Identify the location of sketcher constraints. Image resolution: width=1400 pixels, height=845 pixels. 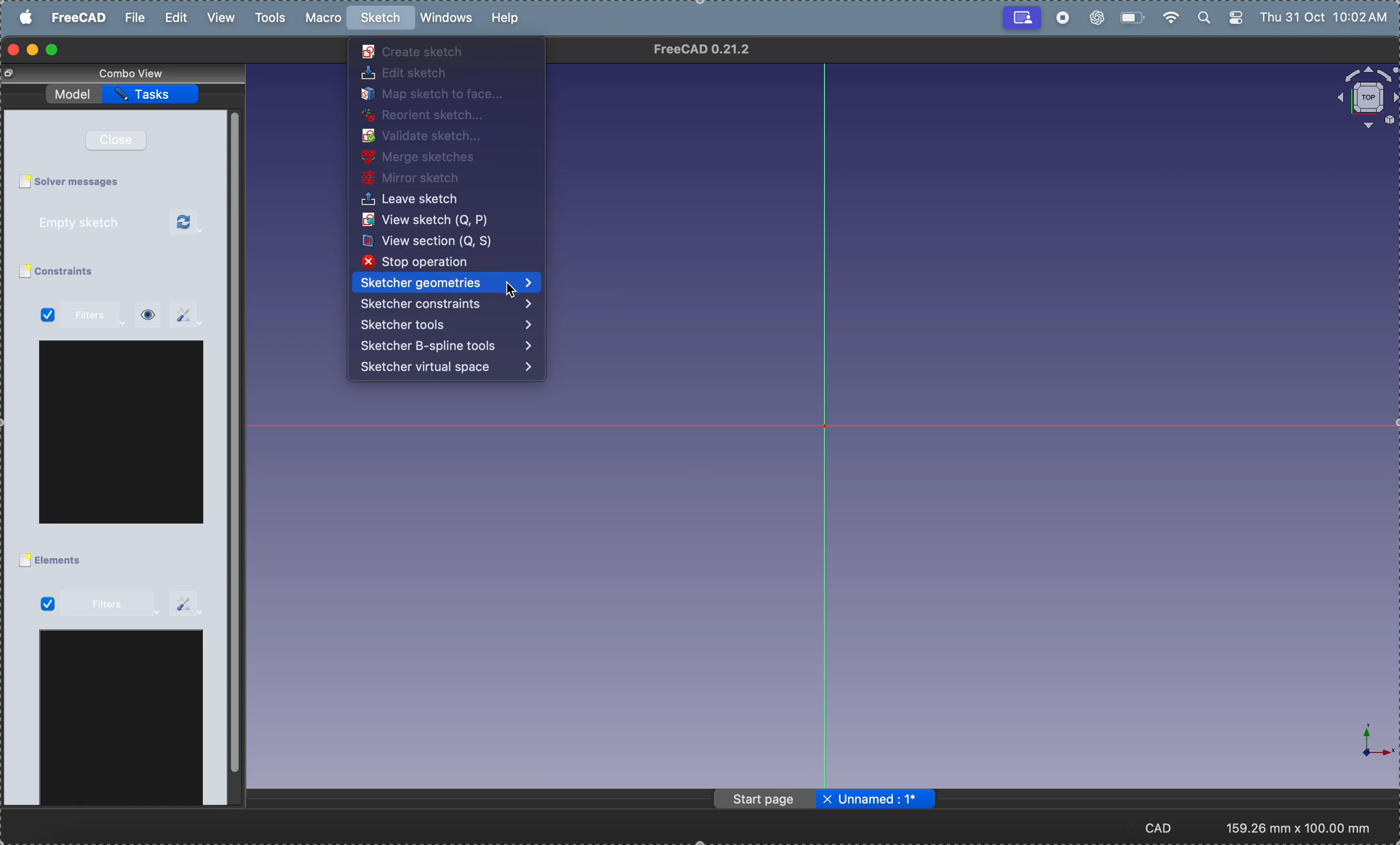
(447, 302).